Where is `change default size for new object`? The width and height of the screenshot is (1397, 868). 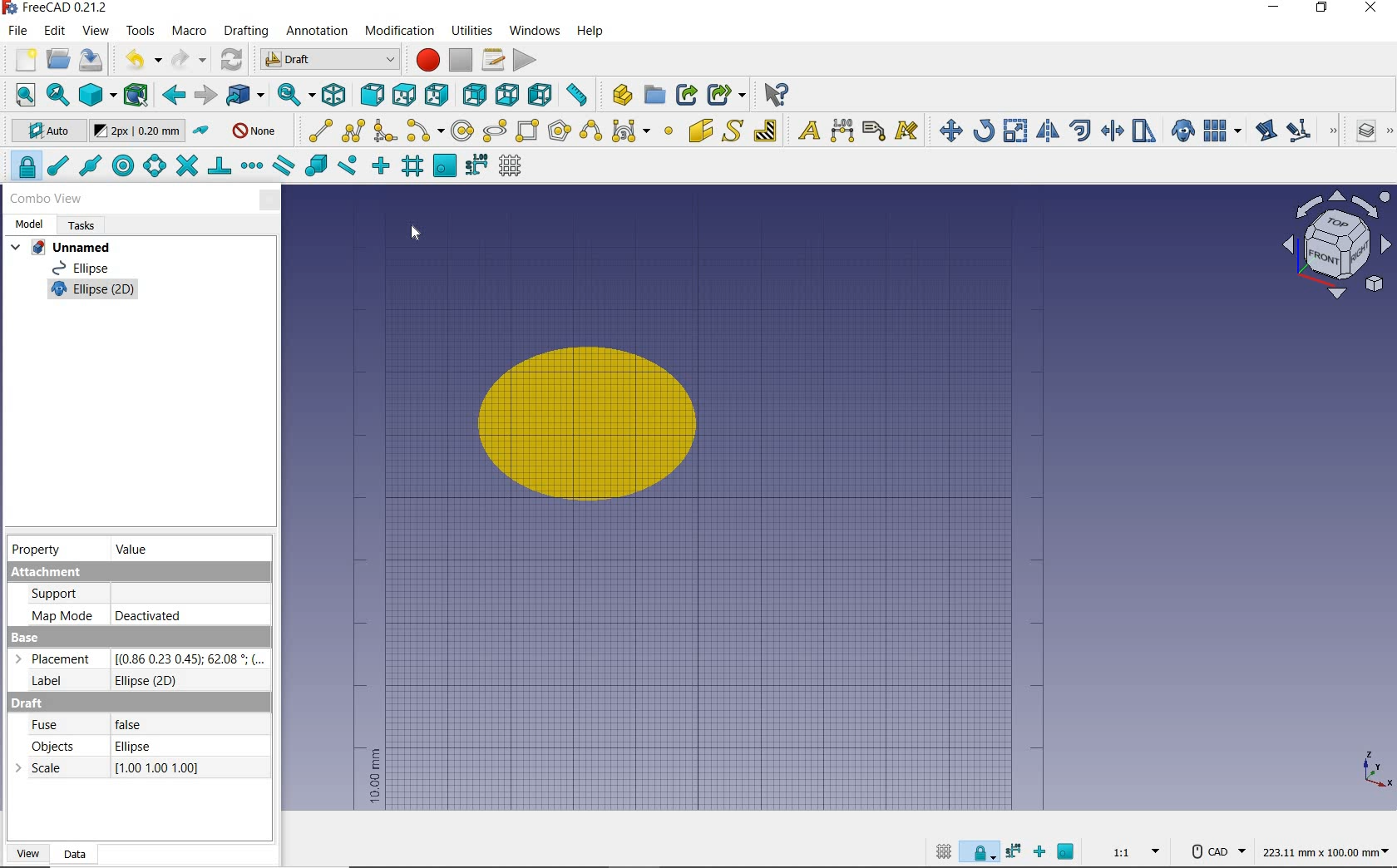 change default size for new object is located at coordinates (138, 132).